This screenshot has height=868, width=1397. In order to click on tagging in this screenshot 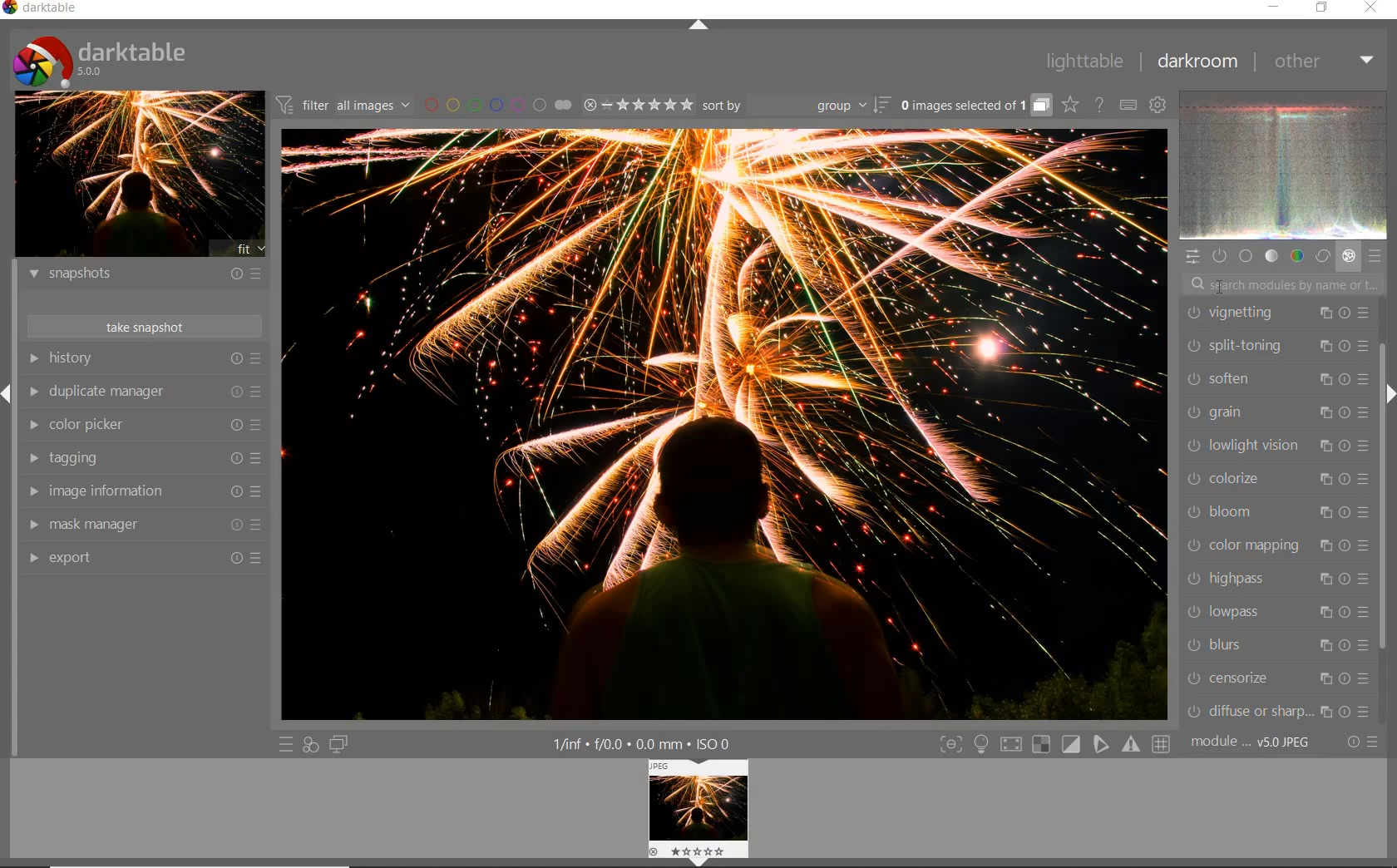, I will do `click(144, 460)`.